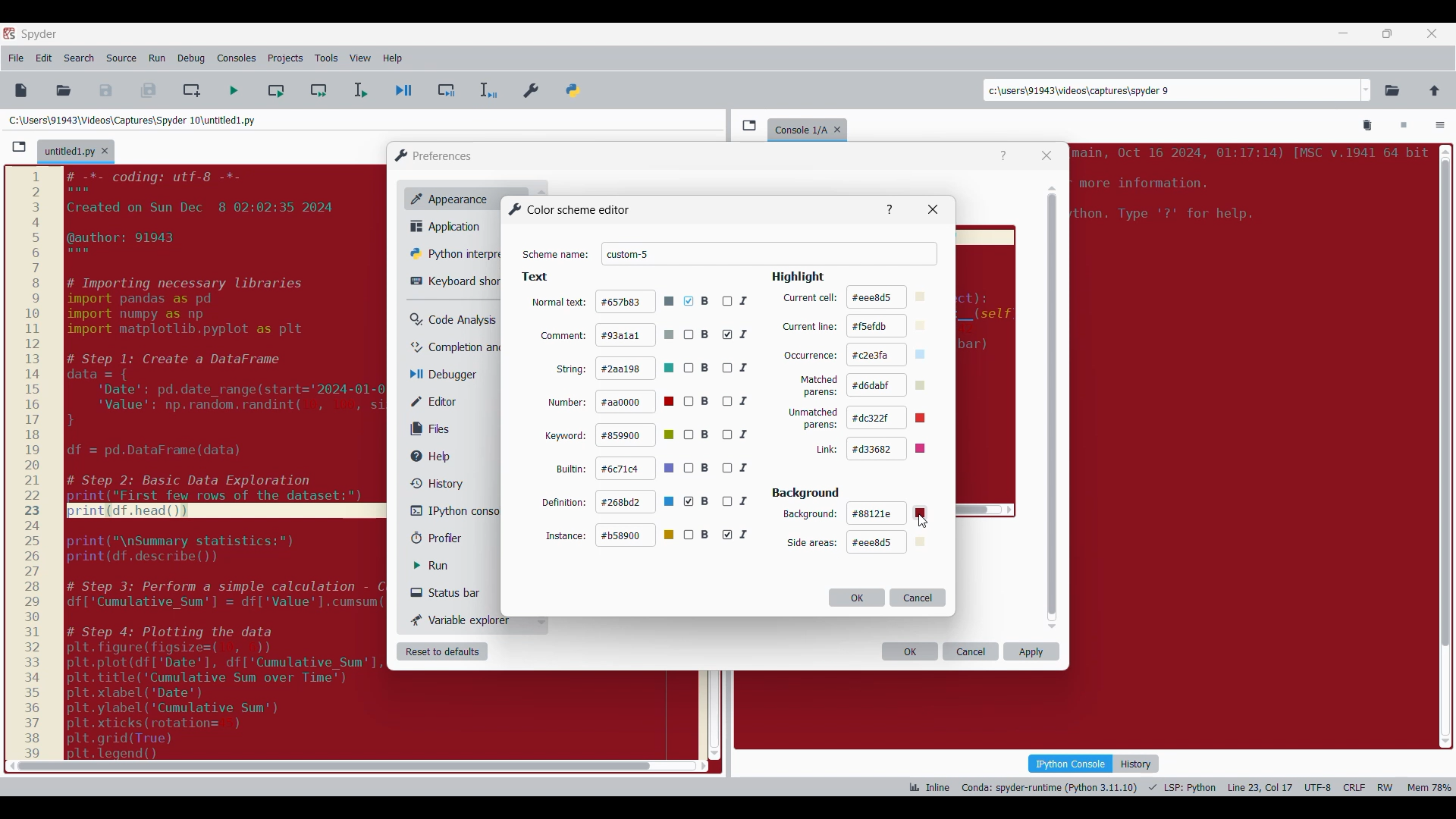 This screenshot has height=819, width=1456. What do you see at coordinates (637, 402) in the screenshot?
I see `#aa0000` at bounding box center [637, 402].